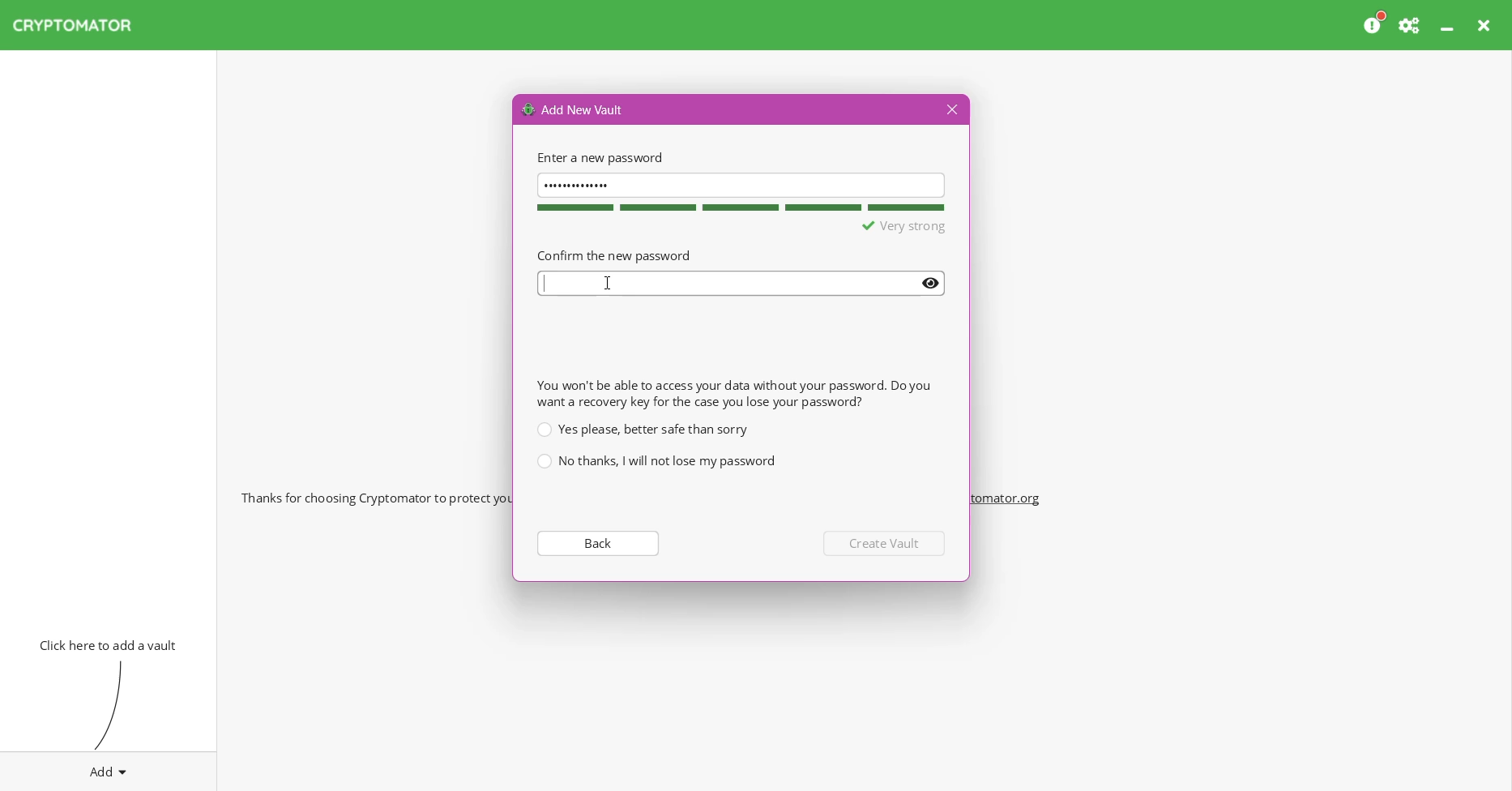 The image size is (1512, 791). Describe the element at coordinates (1375, 24) in the screenshot. I see `Please consider donating` at that location.